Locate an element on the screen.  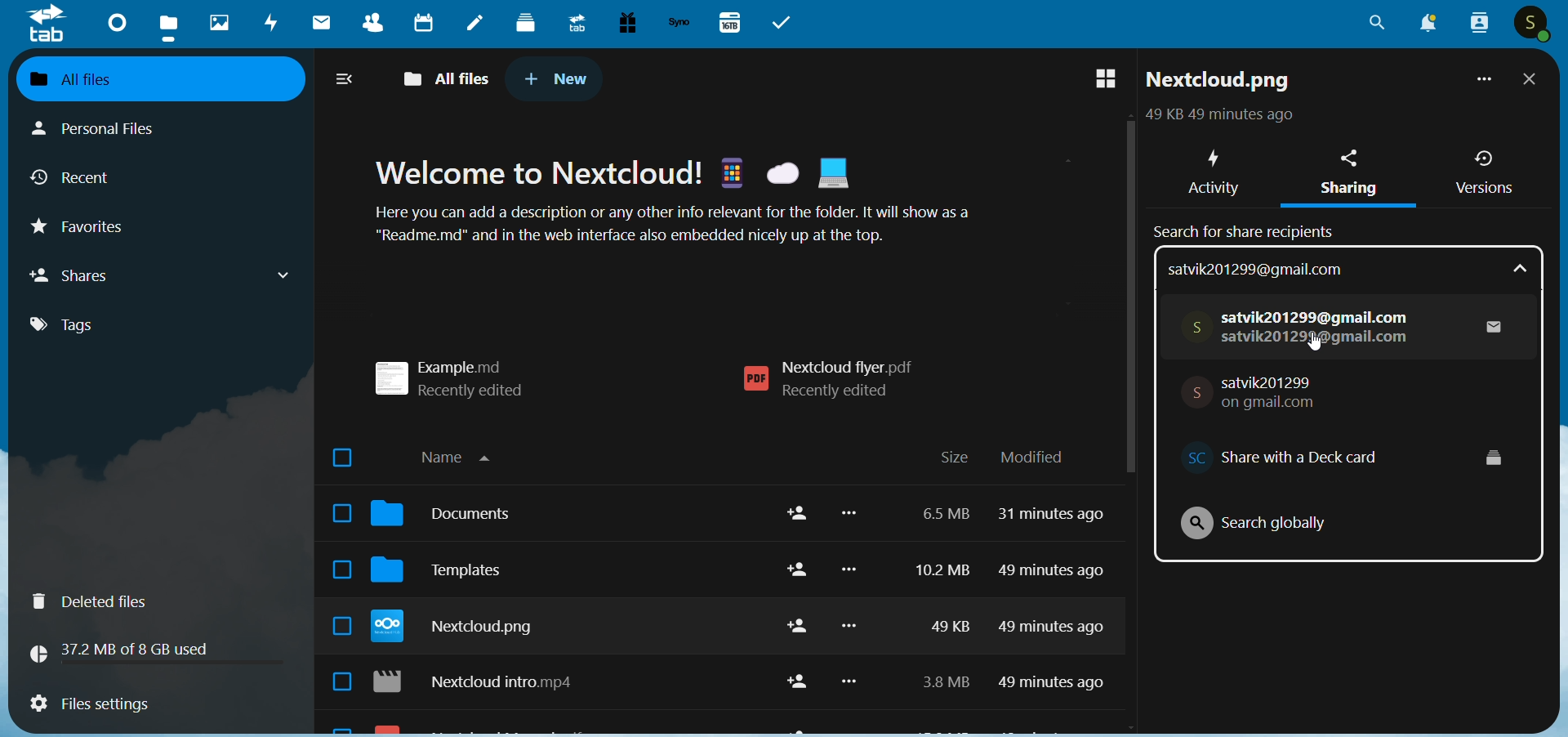
tags is located at coordinates (77, 325).